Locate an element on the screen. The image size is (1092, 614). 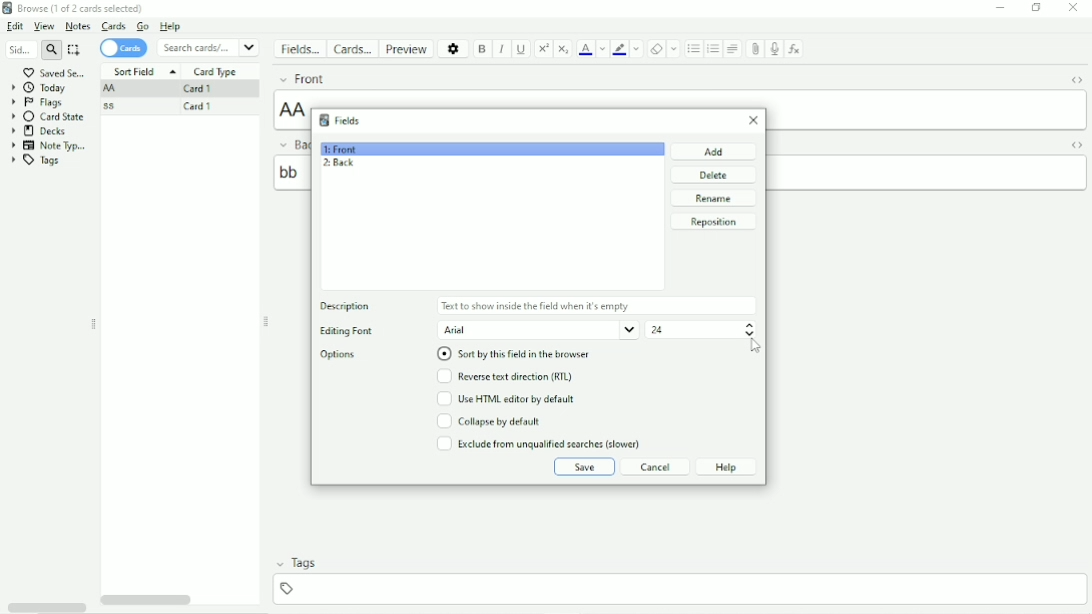
Input tags is located at coordinates (678, 589).